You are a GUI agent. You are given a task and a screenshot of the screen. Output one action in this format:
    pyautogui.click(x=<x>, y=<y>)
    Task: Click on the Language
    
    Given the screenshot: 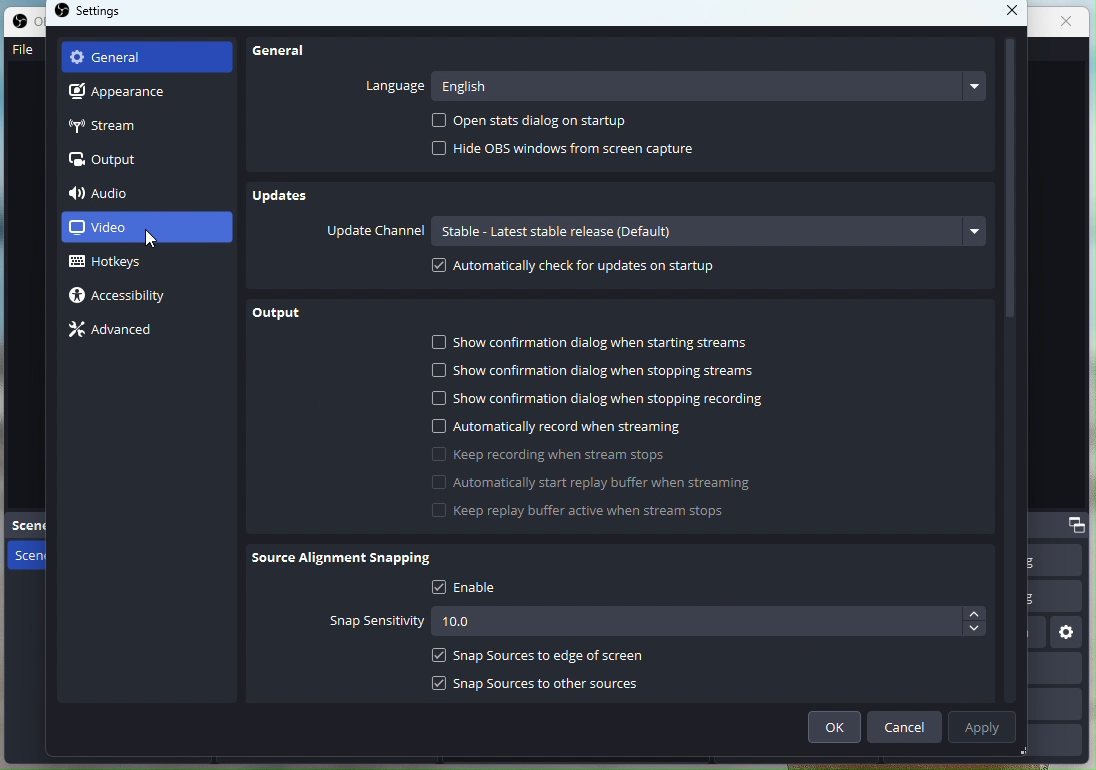 What is the action you would take?
    pyautogui.click(x=396, y=85)
    